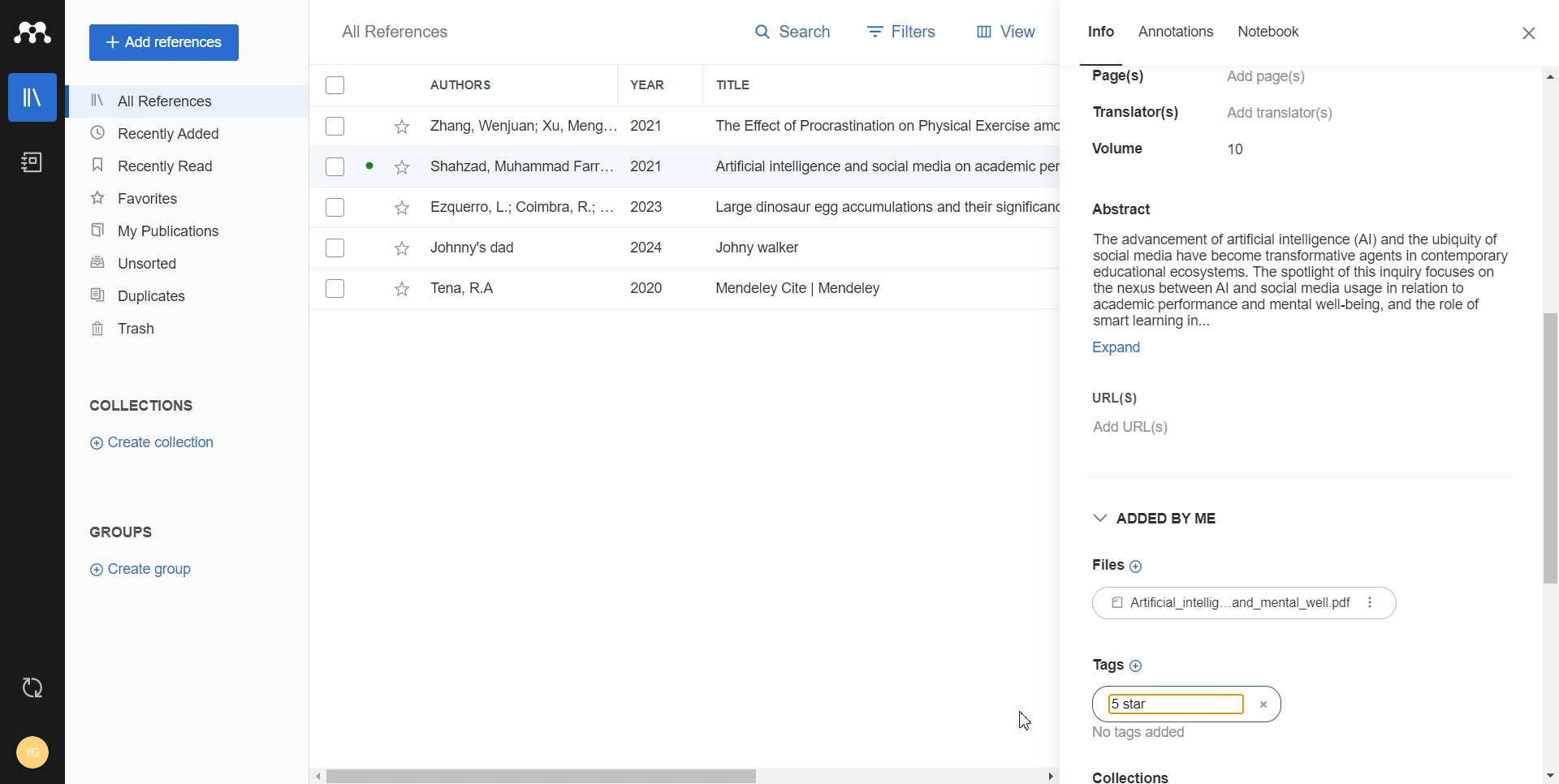 The image size is (1559, 784). Describe the element at coordinates (122, 531) in the screenshot. I see `Groups` at that location.